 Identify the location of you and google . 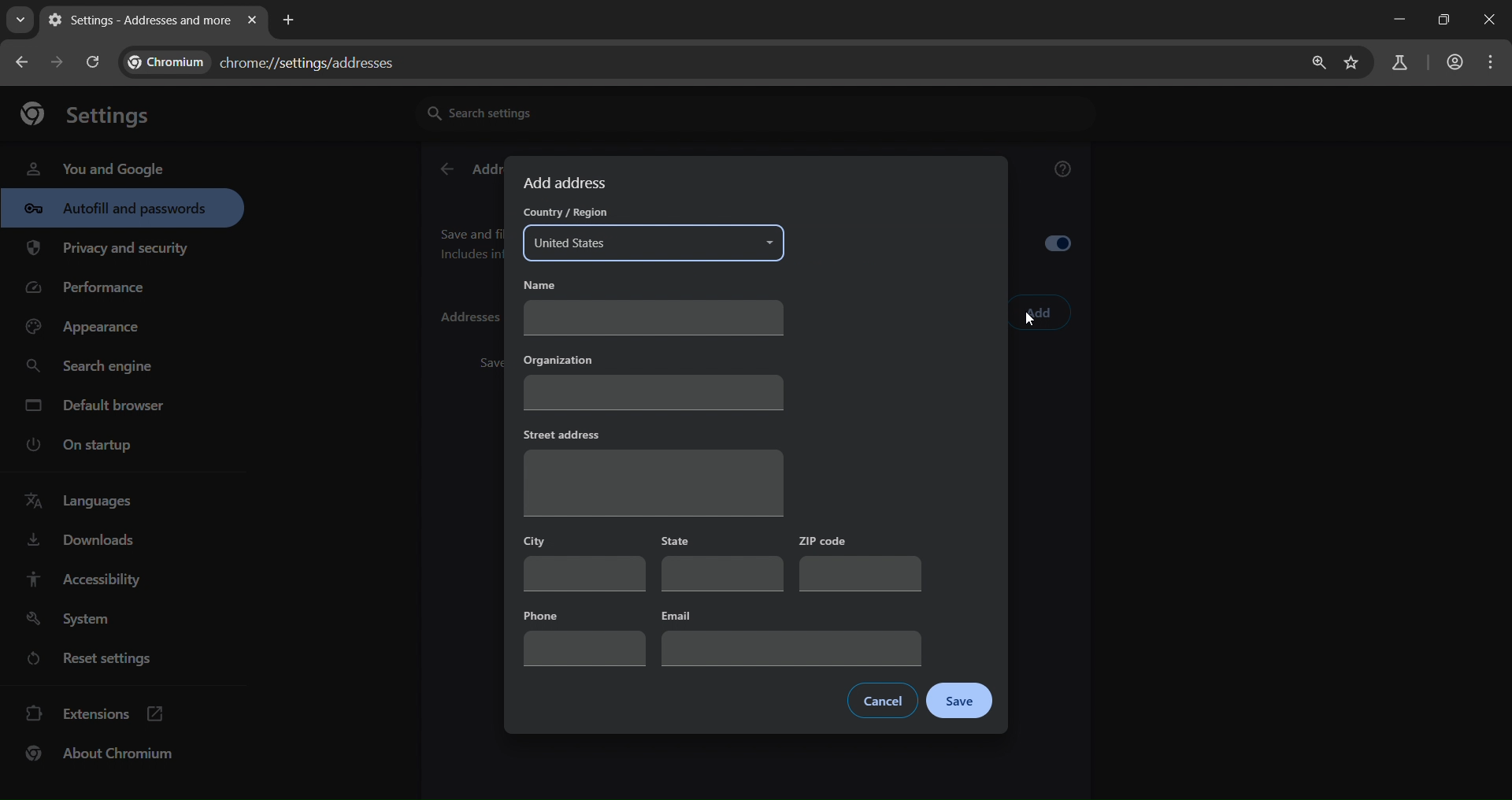
(94, 167).